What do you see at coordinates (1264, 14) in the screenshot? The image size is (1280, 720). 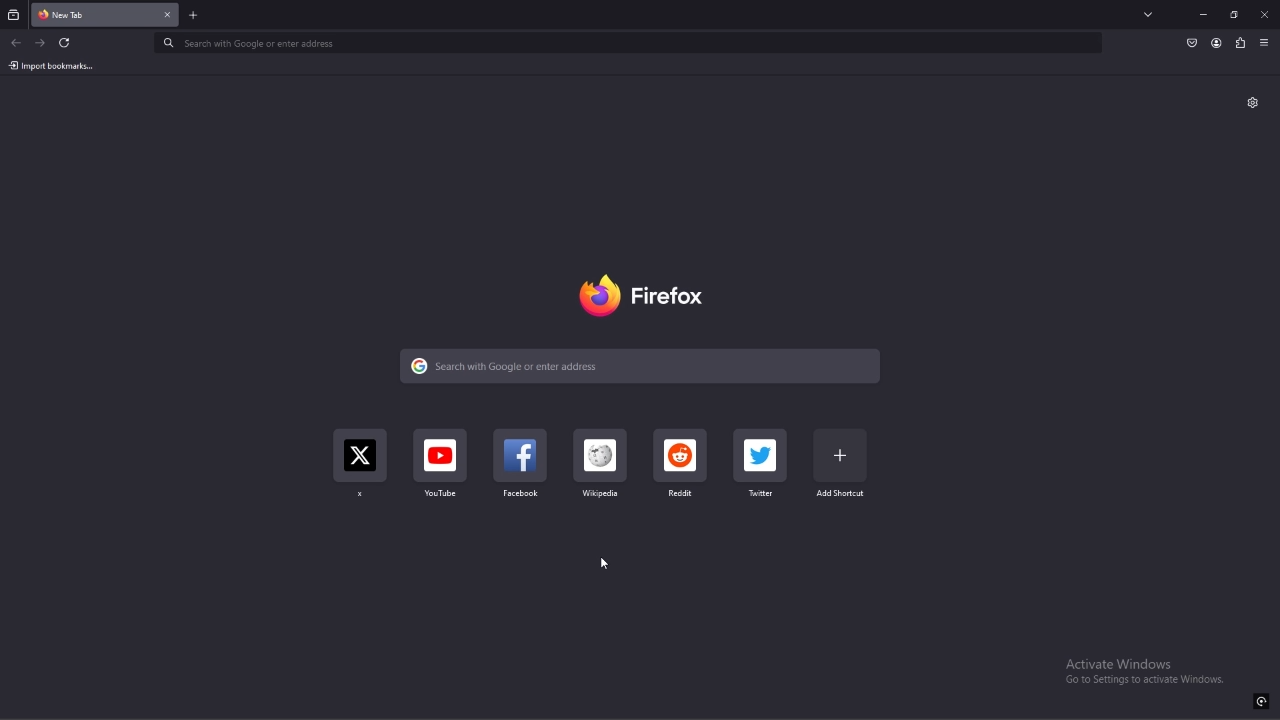 I see `close` at bounding box center [1264, 14].